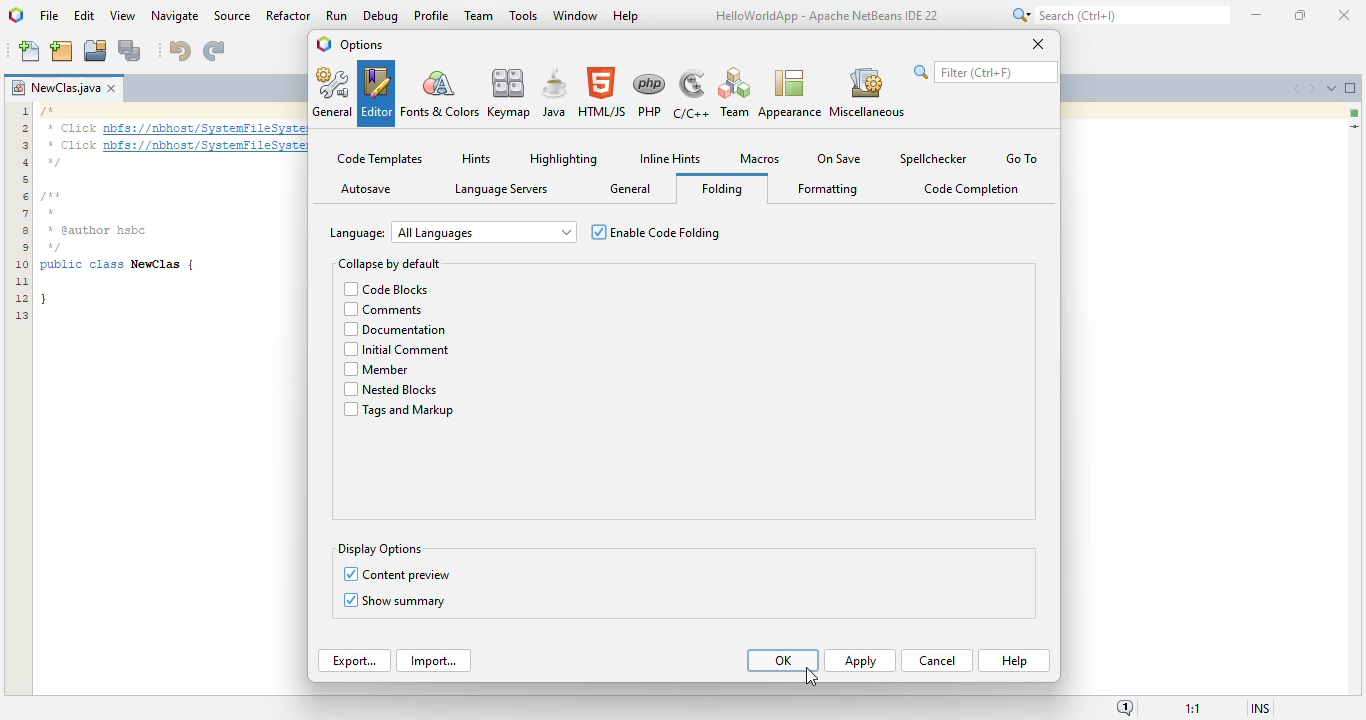 The width and height of the screenshot is (1366, 720). What do you see at coordinates (737, 93) in the screenshot?
I see `team` at bounding box center [737, 93].